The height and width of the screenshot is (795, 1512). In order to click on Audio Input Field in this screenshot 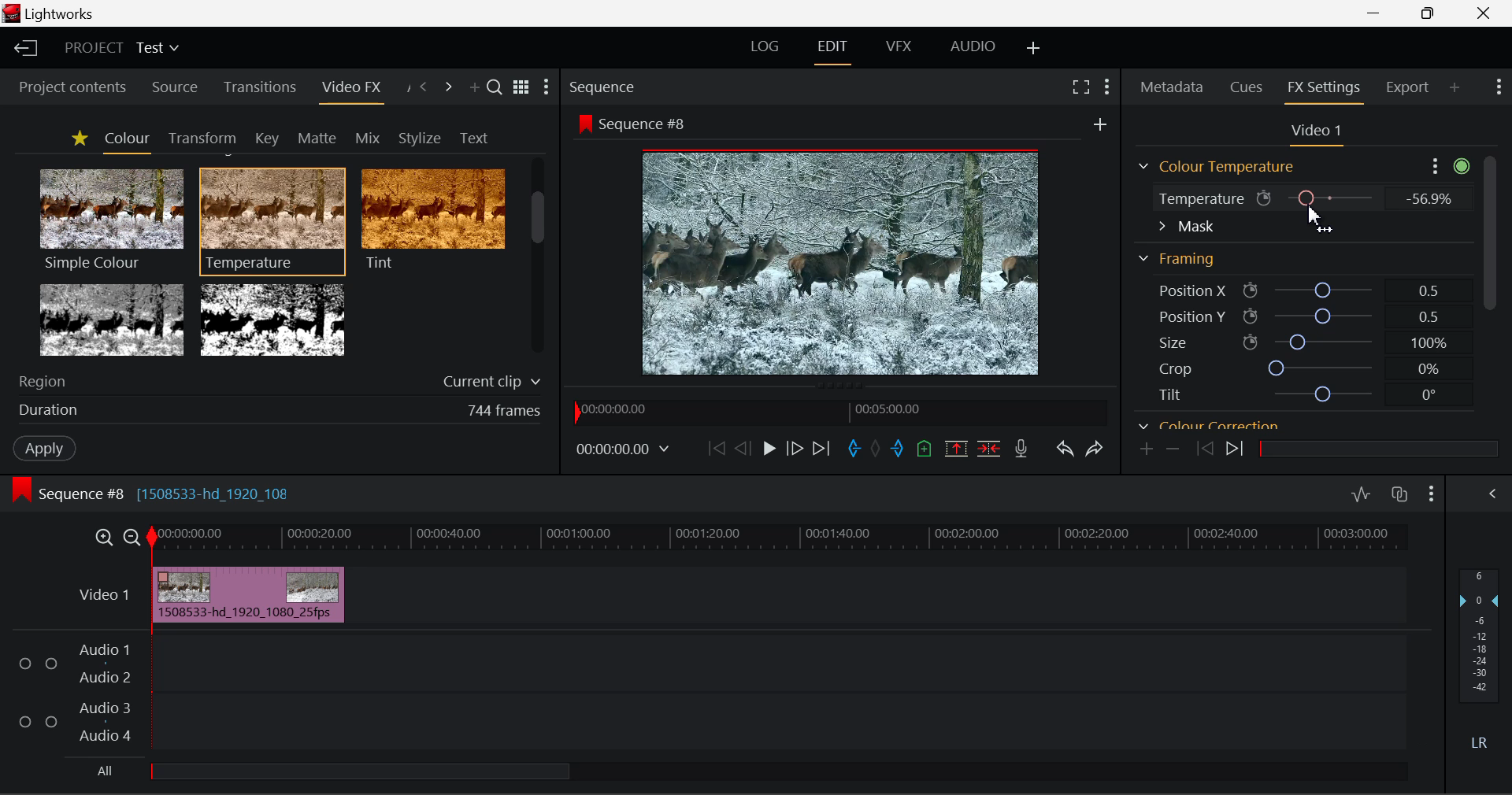, I will do `click(783, 692)`.